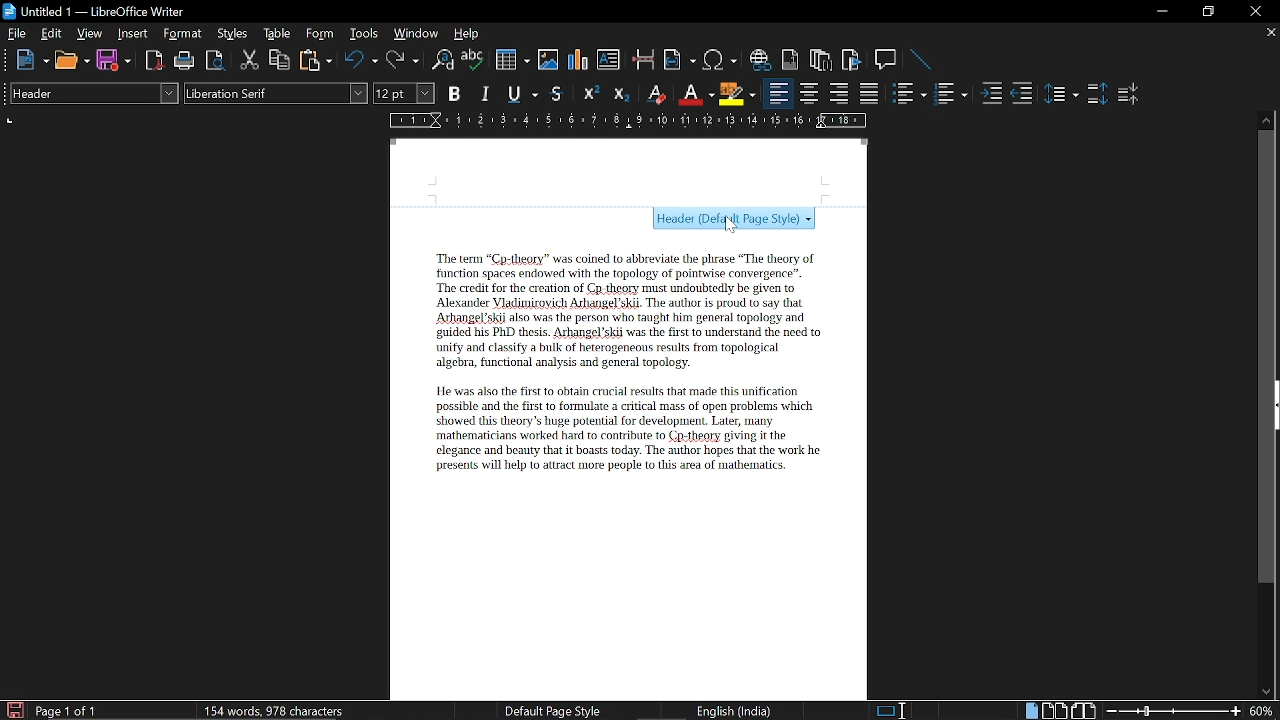 The width and height of the screenshot is (1280, 720). Describe the element at coordinates (578, 60) in the screenshot. I see `insert diagram` at that location.